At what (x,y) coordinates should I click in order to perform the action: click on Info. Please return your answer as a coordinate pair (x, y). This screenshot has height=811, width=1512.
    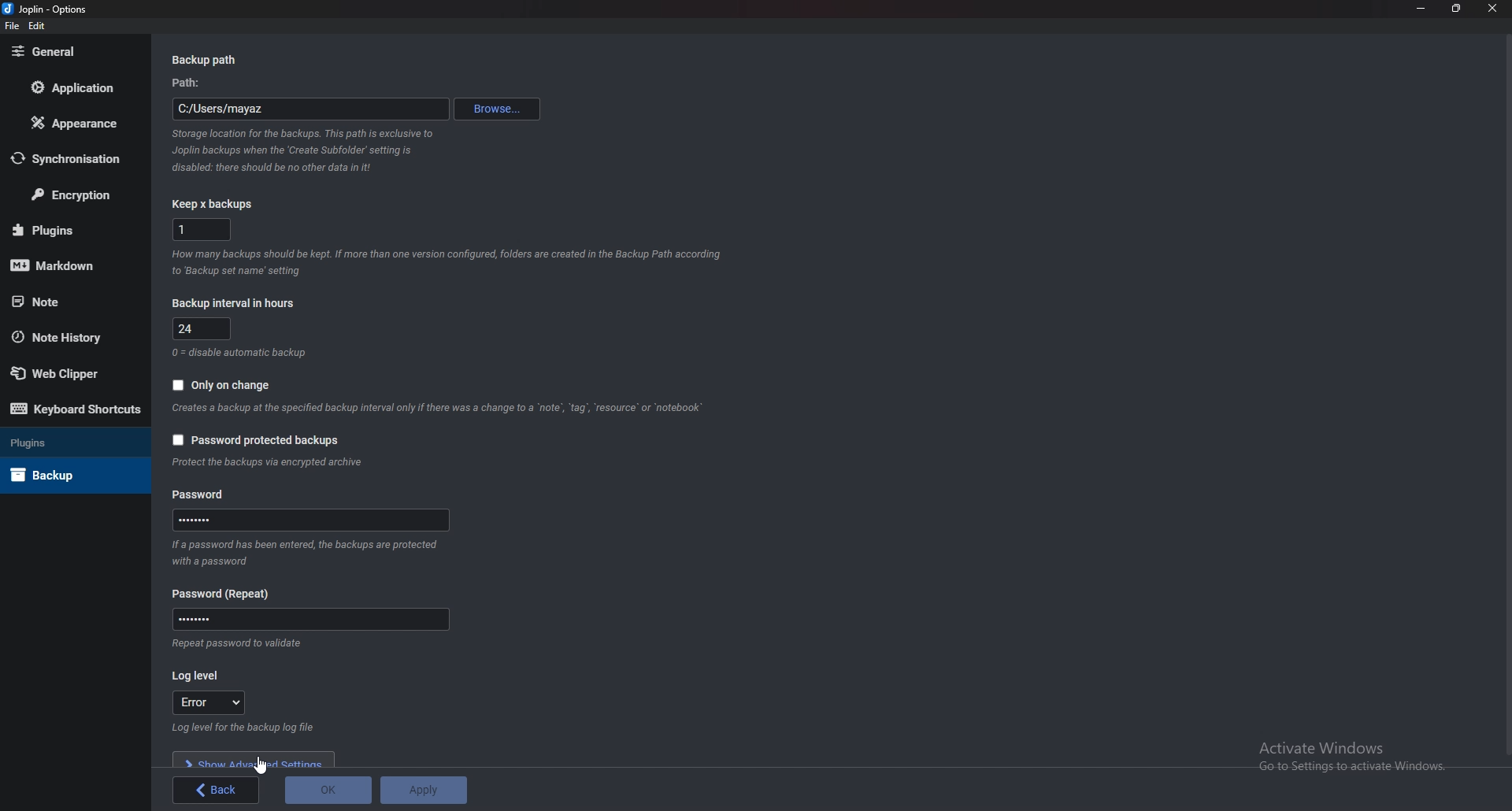
    Looking at the image, I should click on (439, 409).